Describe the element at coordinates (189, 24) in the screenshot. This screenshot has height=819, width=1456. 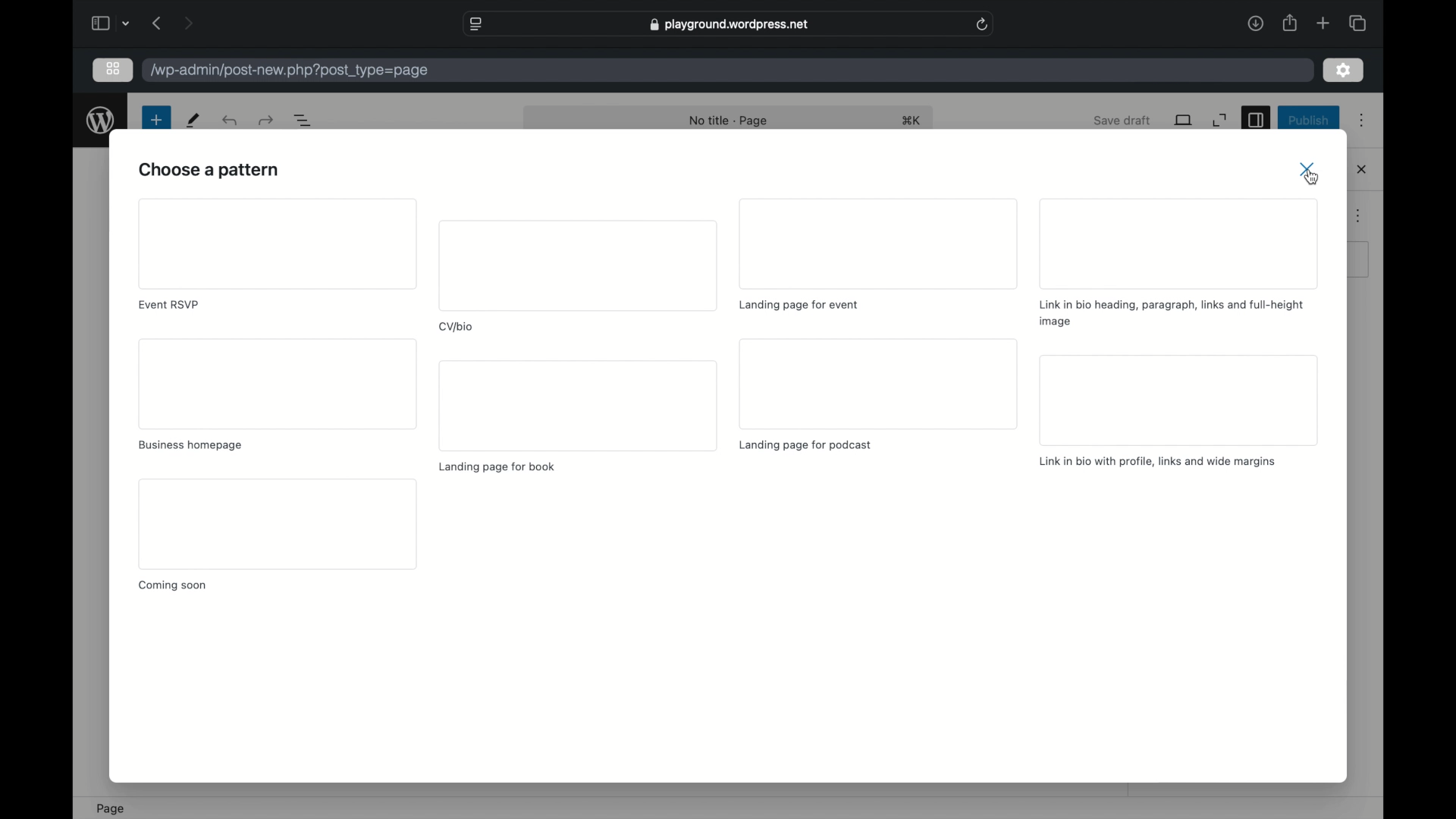
I see `next page` at that location.